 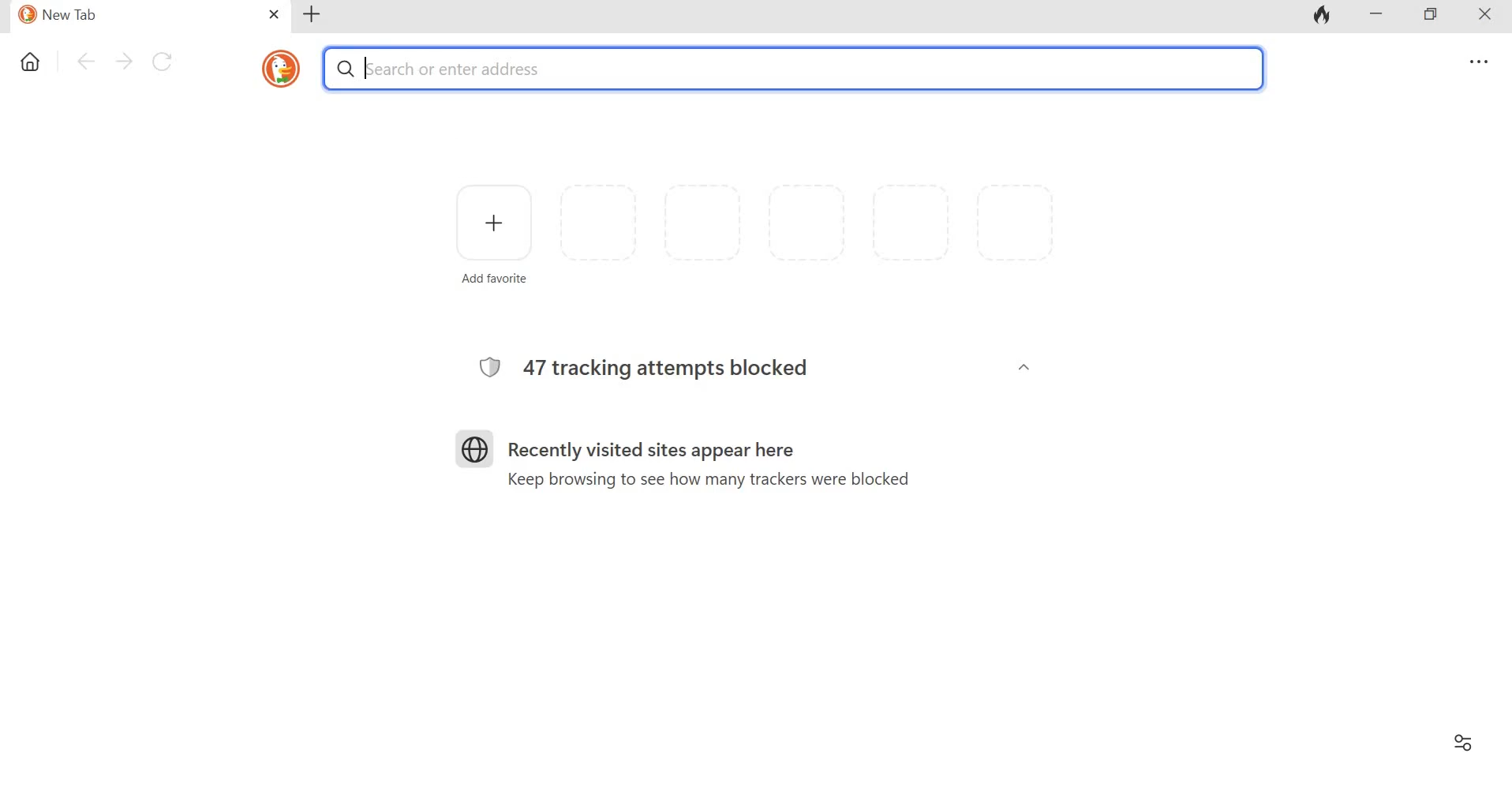 What do you see at coordinates (819, 69) in the screenshot?
I see `Search or enter address` at bounding box center [819, 69].